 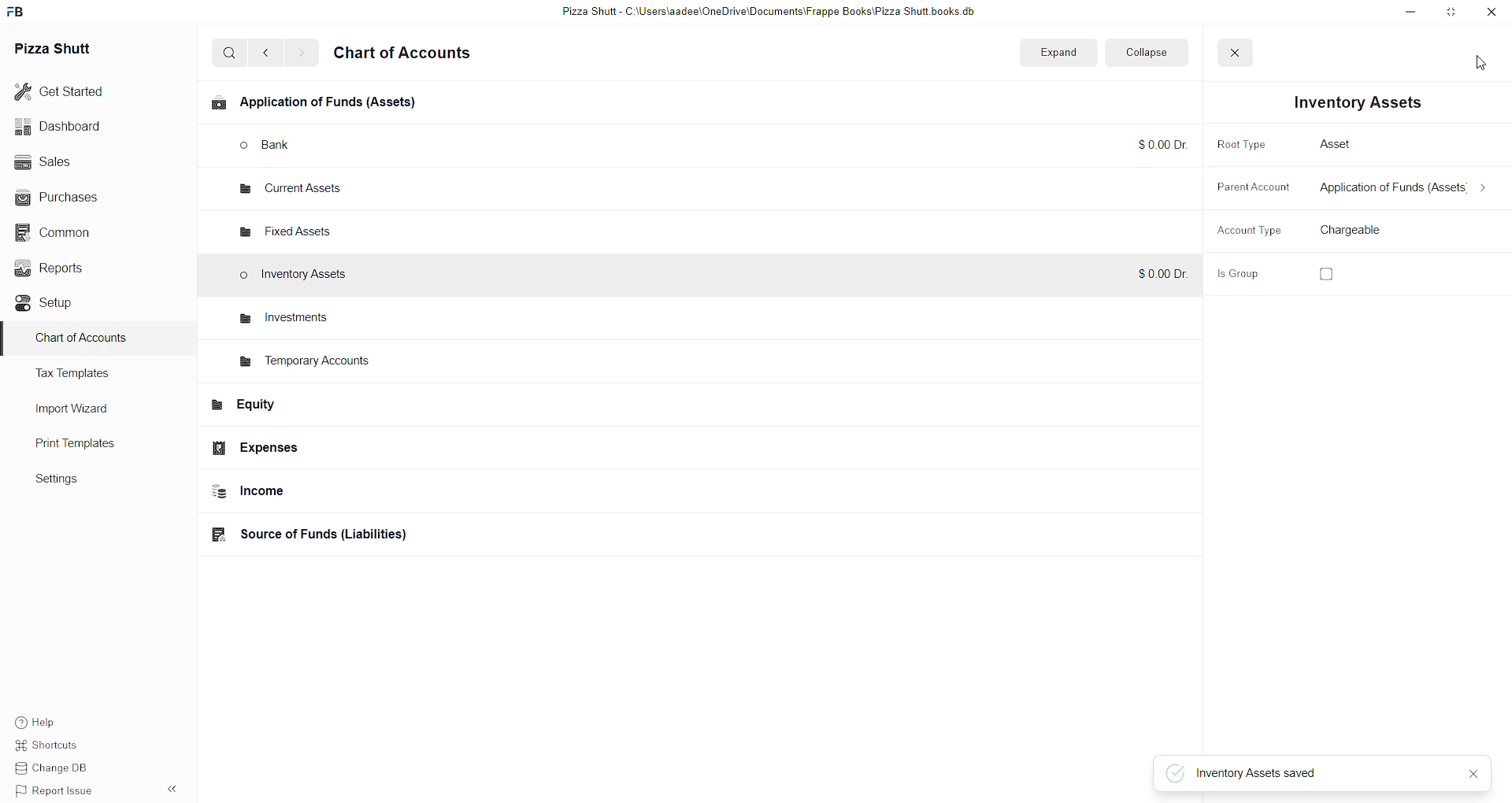 What do you see at coordinates (1473, 775) in the screenshot?
I see `close ` at bounding box center [1473, 775].